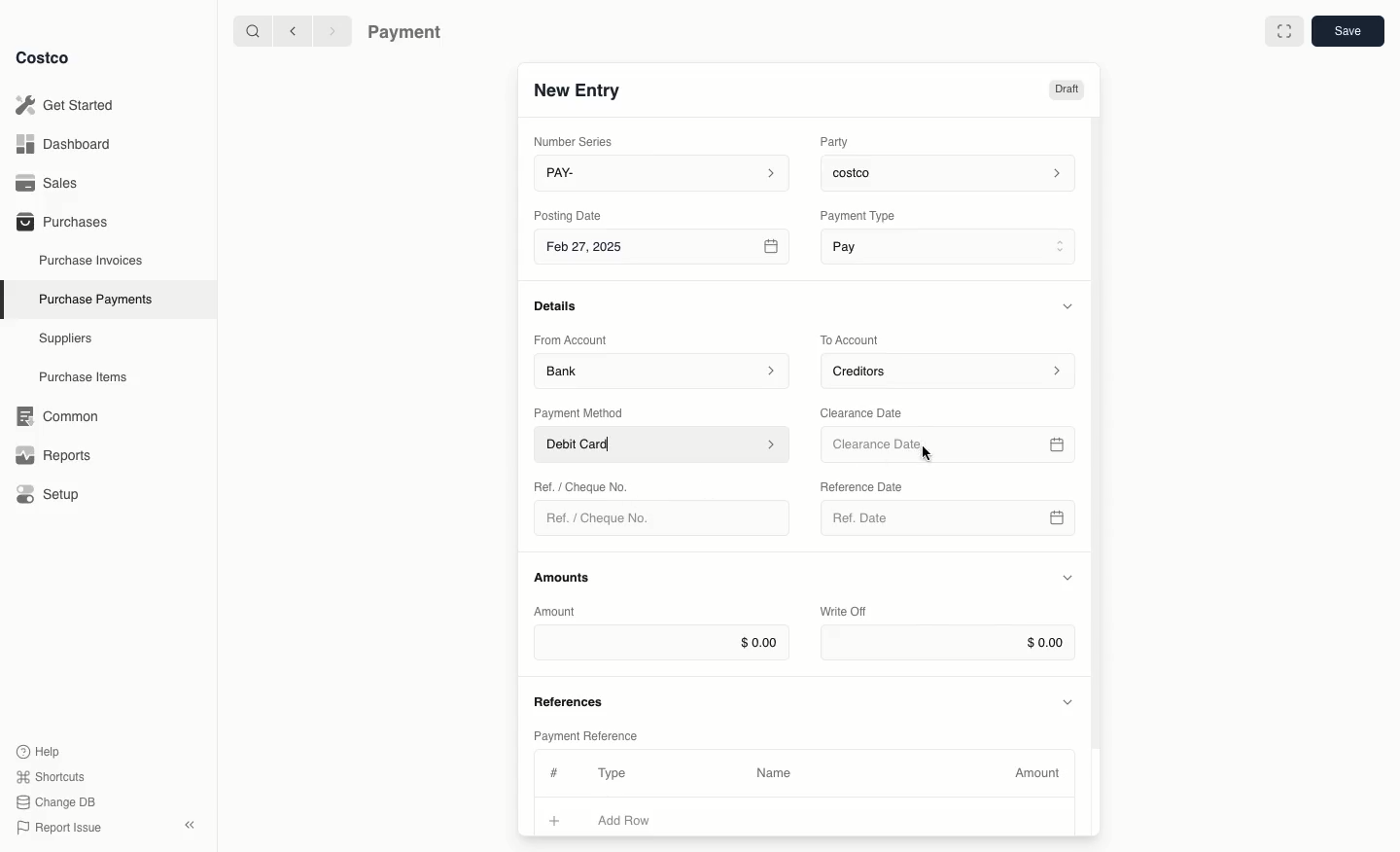 The height and width of the screenshot is (852, 1400). Describe the element at coordinates (584, 733) in the screenshot. I see `Payment Reference` at that location.